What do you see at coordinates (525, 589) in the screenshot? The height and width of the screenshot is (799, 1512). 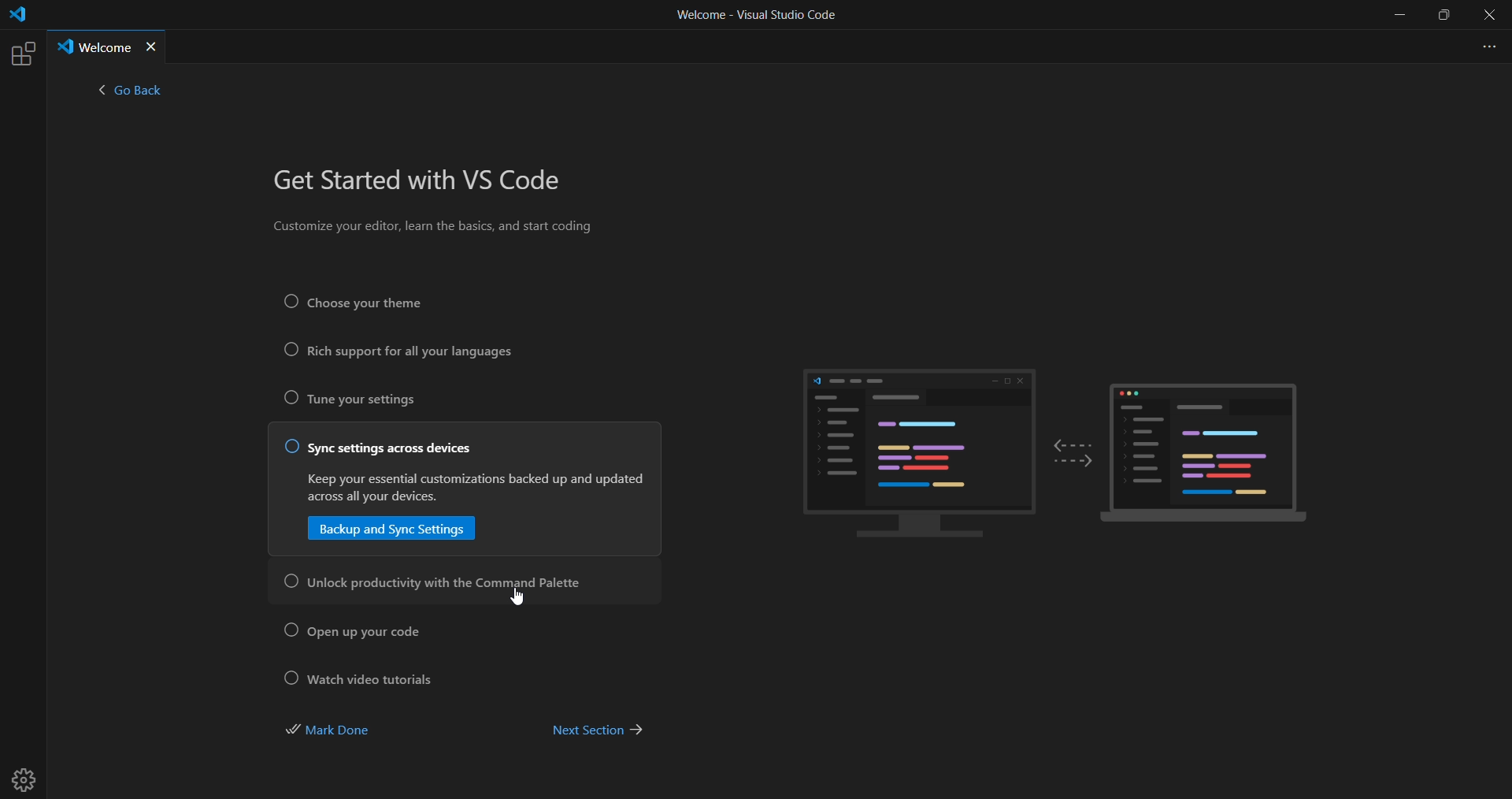 I see `cursor` at bounding box center [525, 589].